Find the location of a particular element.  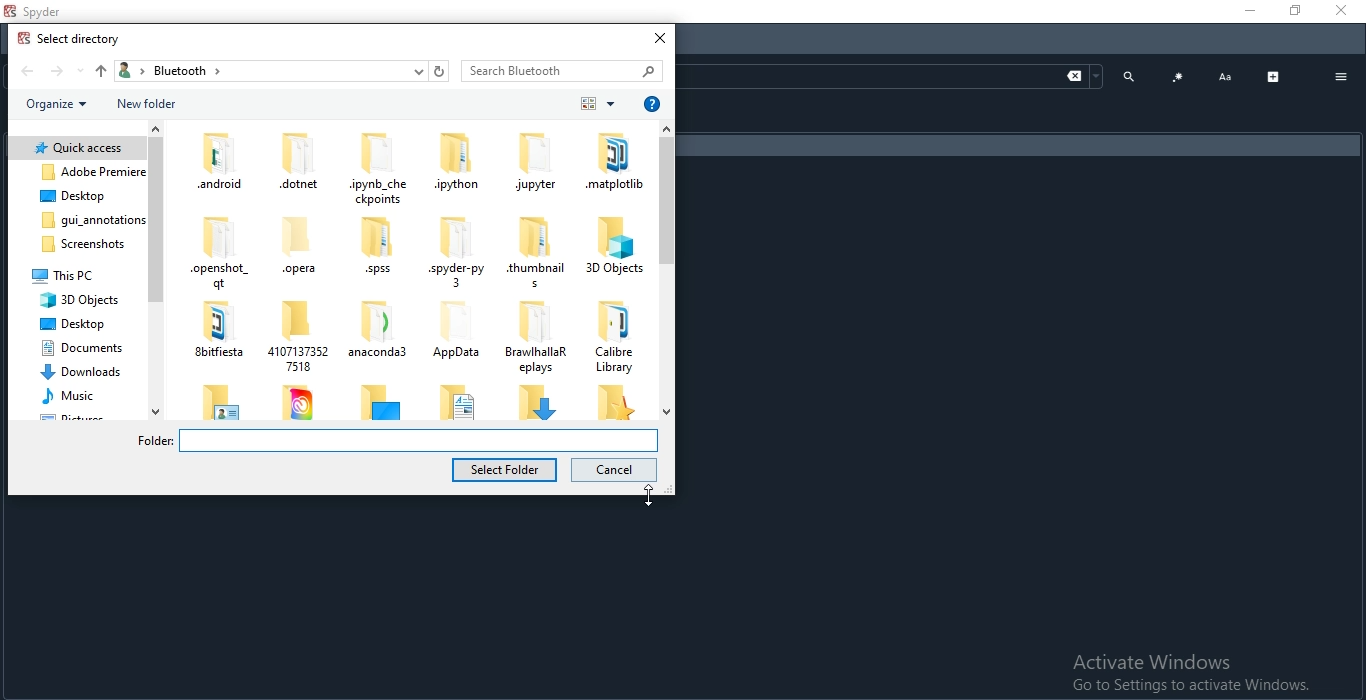

Close is located at coordinates (1345, 12).